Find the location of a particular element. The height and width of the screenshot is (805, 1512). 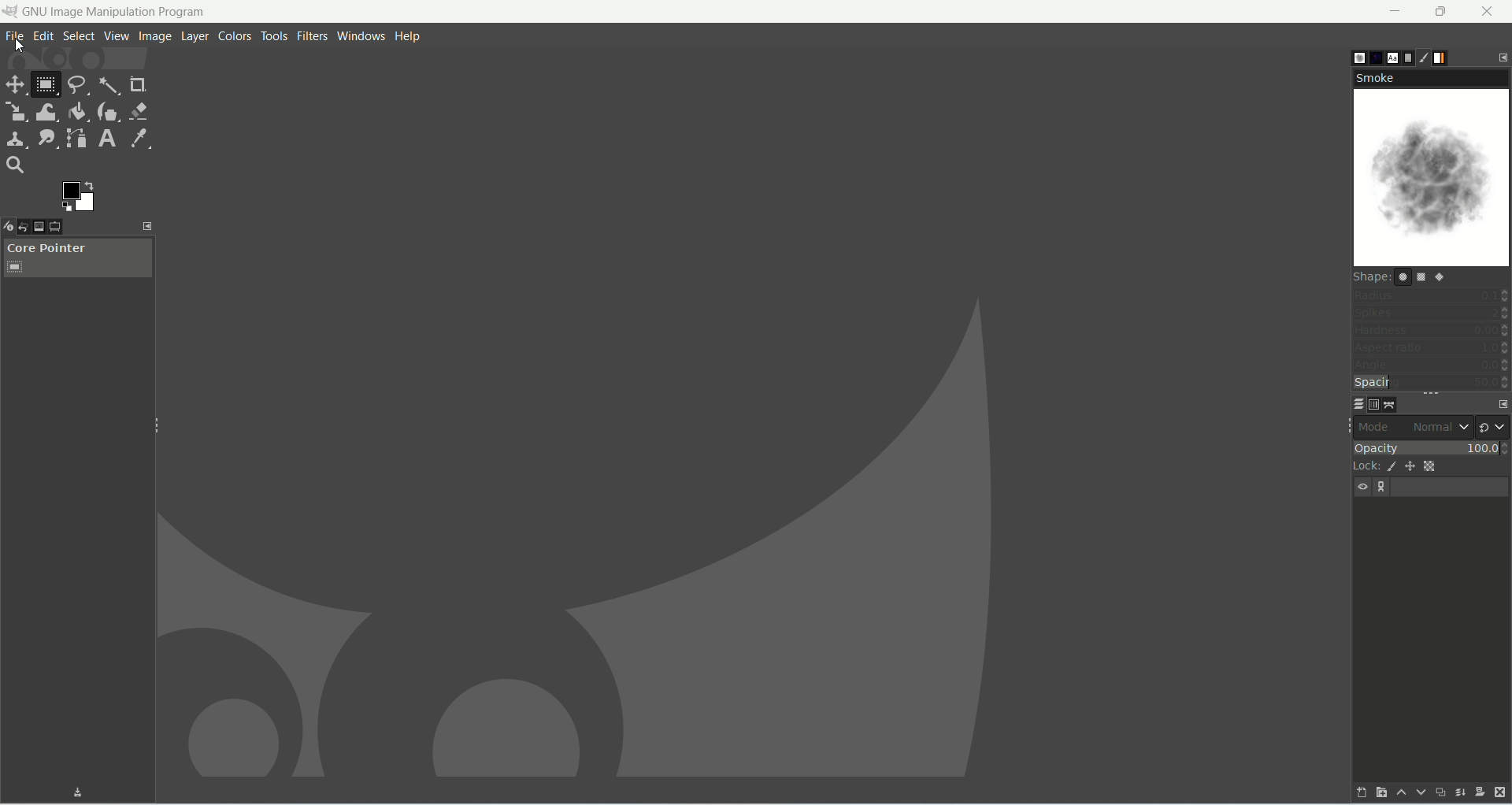

eraser tool is located at coordinates (139, 112).